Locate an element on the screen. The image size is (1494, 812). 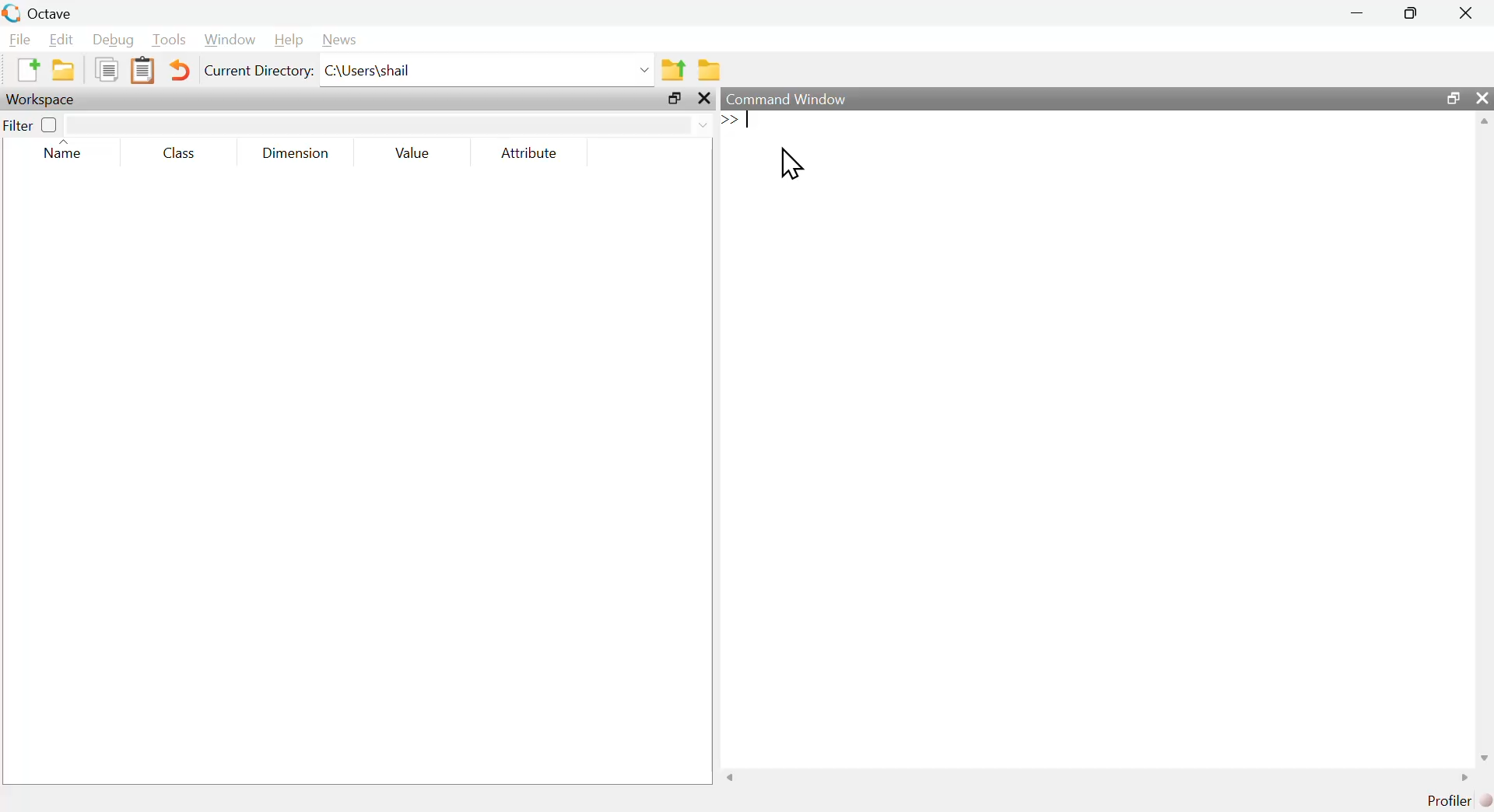
restore down is located at coordinates (1451, 100).